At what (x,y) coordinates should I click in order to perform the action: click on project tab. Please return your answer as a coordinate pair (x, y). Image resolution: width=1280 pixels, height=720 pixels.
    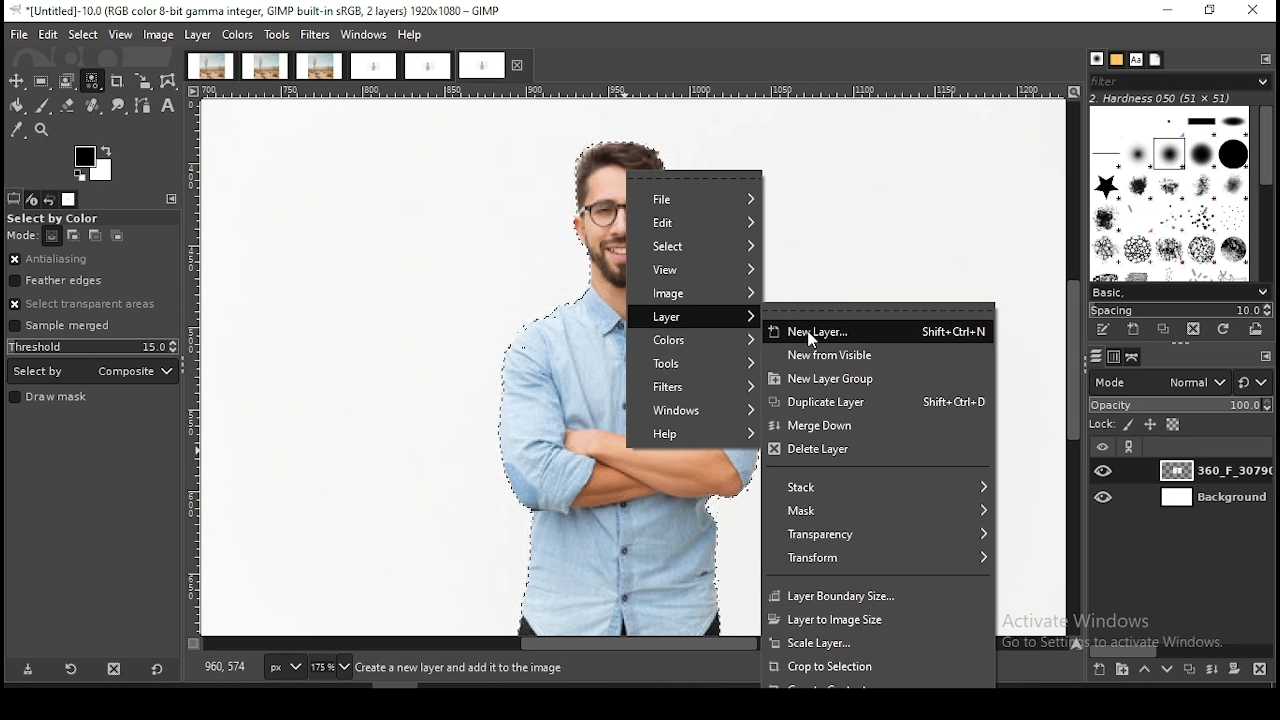
    Looking at the image, I should click on (495, 65).